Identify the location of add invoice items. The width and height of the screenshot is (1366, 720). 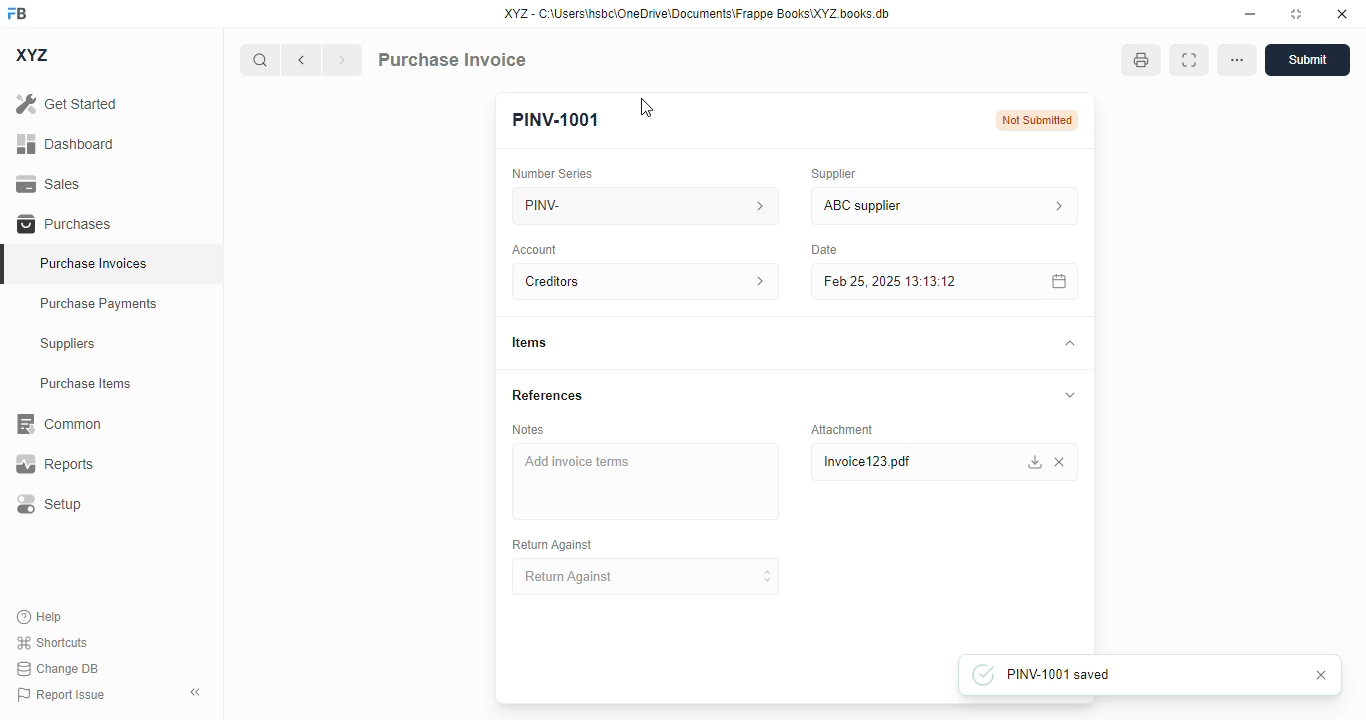
(644, 481).